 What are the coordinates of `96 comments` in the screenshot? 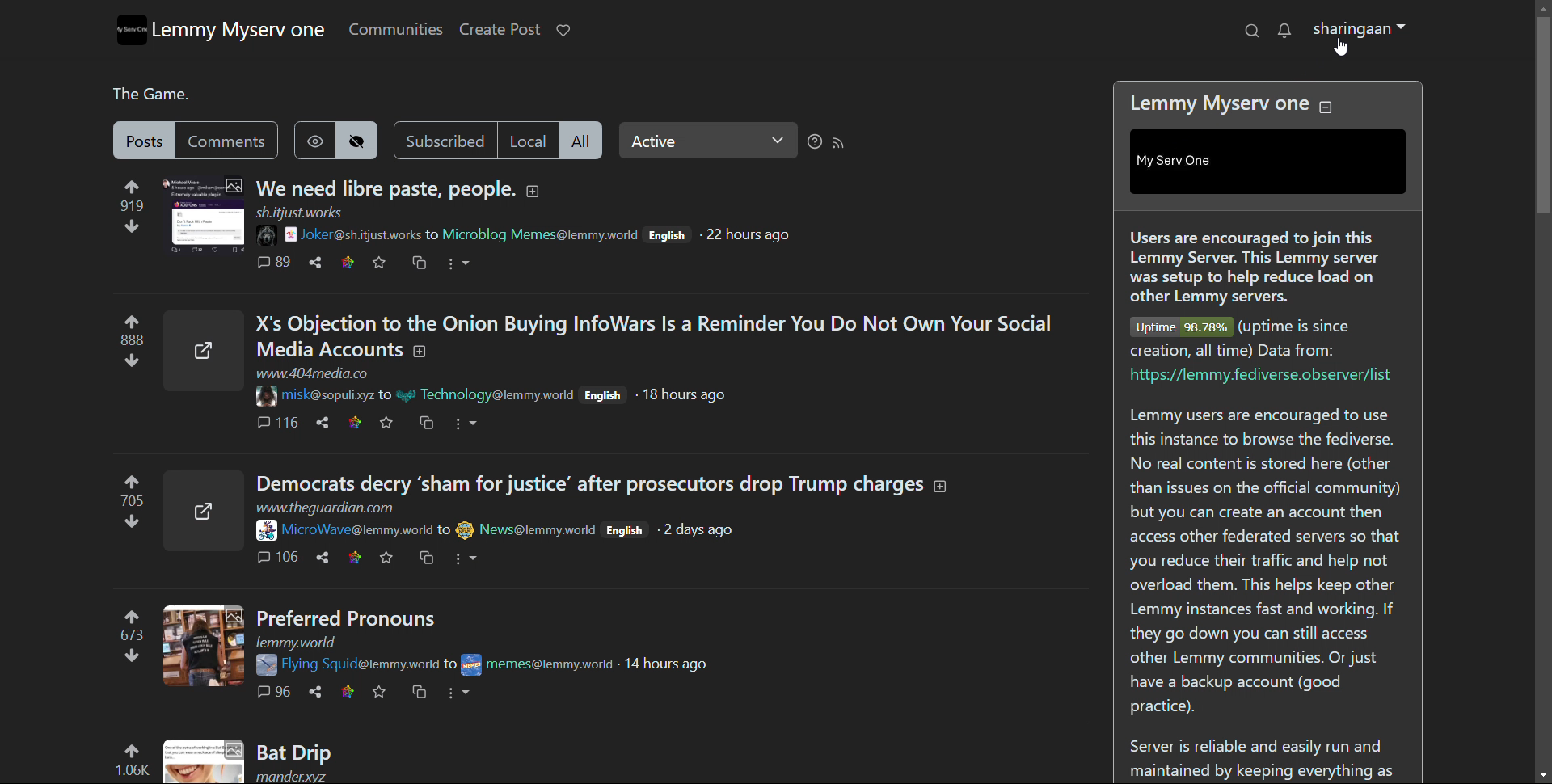 It's located at (273, 693).